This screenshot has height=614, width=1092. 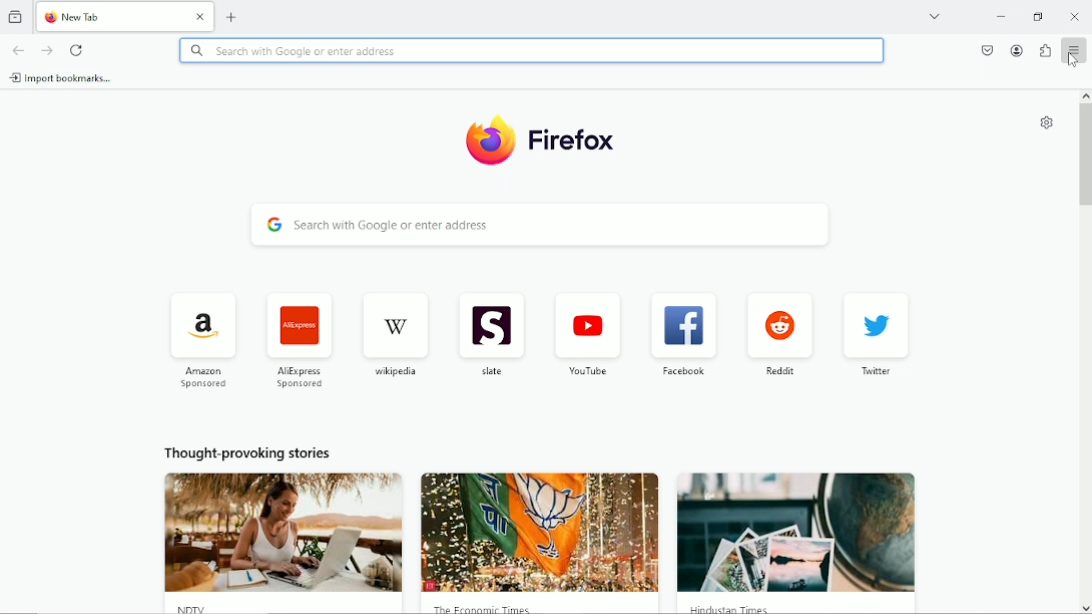 I want to click on new tab, so click(x=232, y=17).